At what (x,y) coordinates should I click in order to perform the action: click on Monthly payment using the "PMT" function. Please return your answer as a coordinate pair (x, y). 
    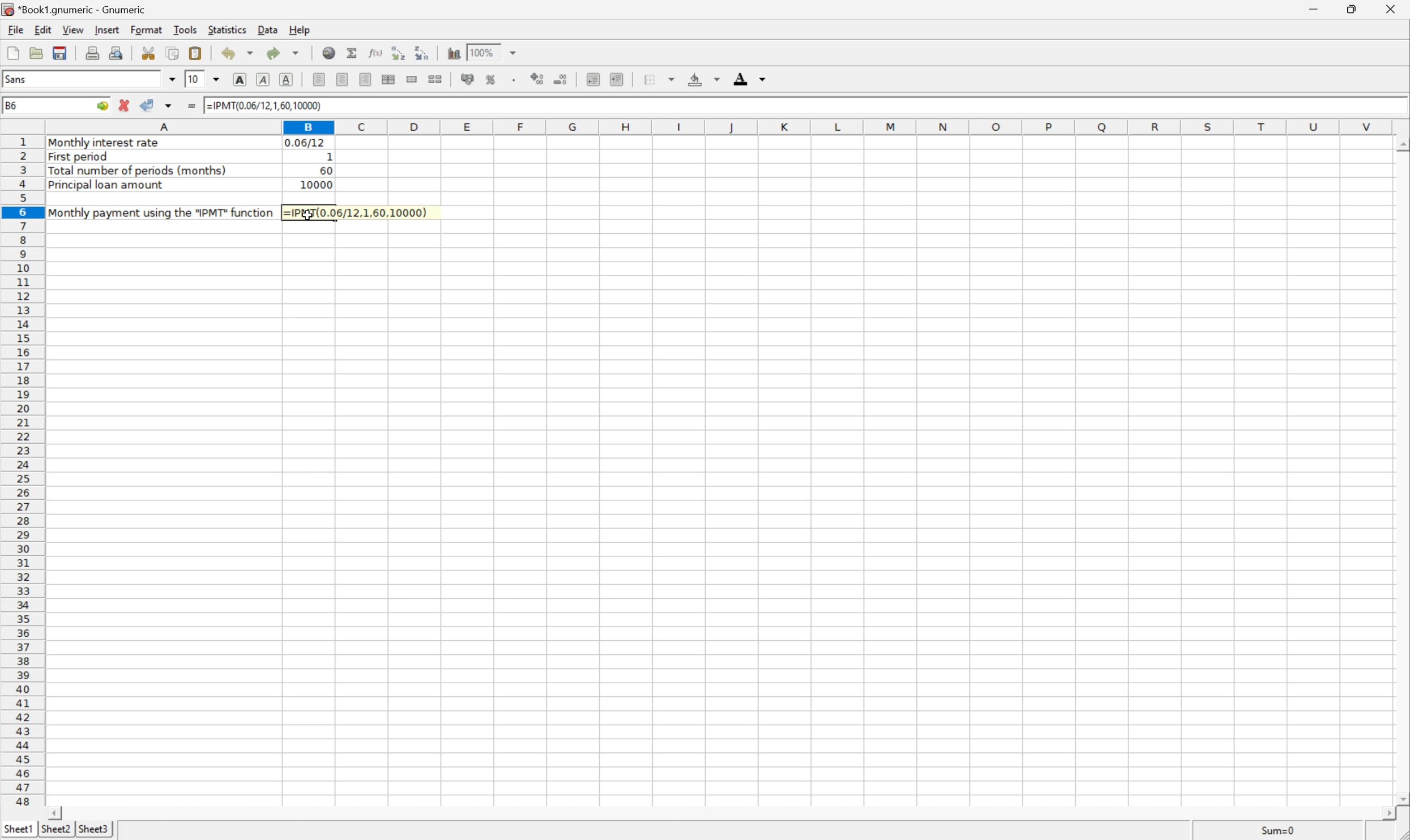
    Looking at the image, I should click on (161, 212).